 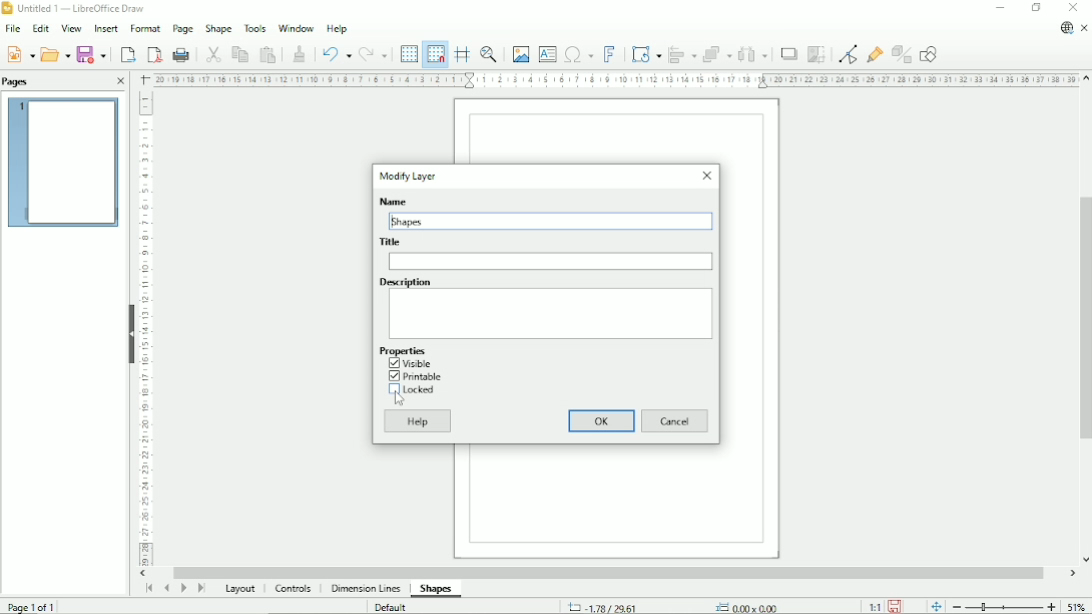 What do you see at coordinates (411, 221) in the screenshot?
I see `Shapes` at bounding box center [411, 221].